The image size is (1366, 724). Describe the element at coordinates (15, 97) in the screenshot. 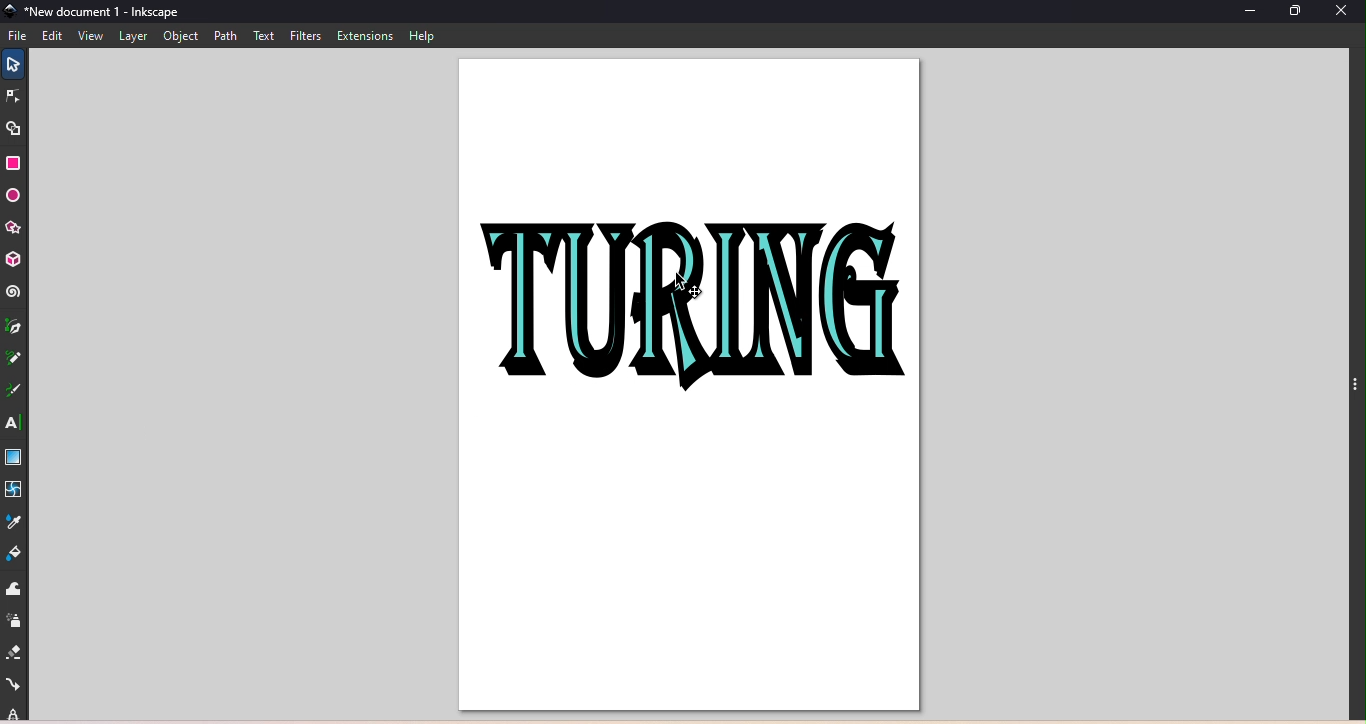

I see `Node tool` at that location.